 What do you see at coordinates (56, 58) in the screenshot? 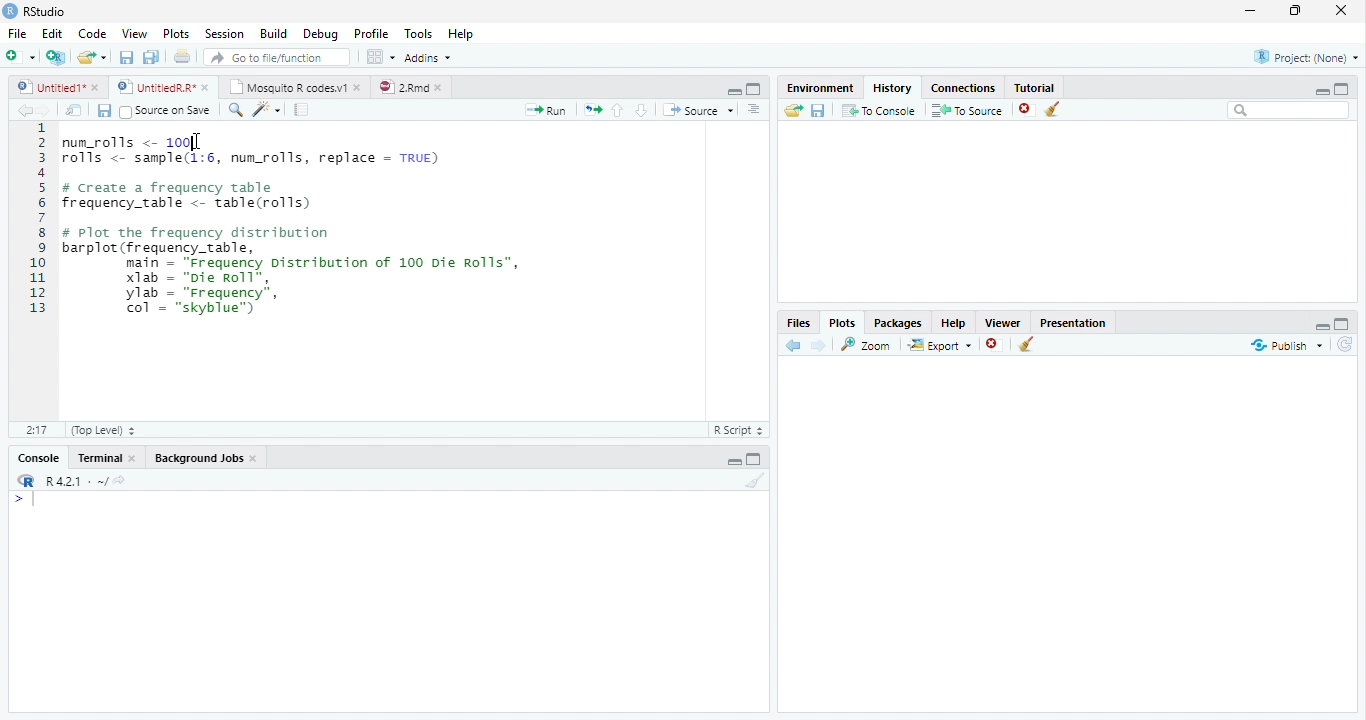
I see `Create Project` at bounding box center [56, 58].